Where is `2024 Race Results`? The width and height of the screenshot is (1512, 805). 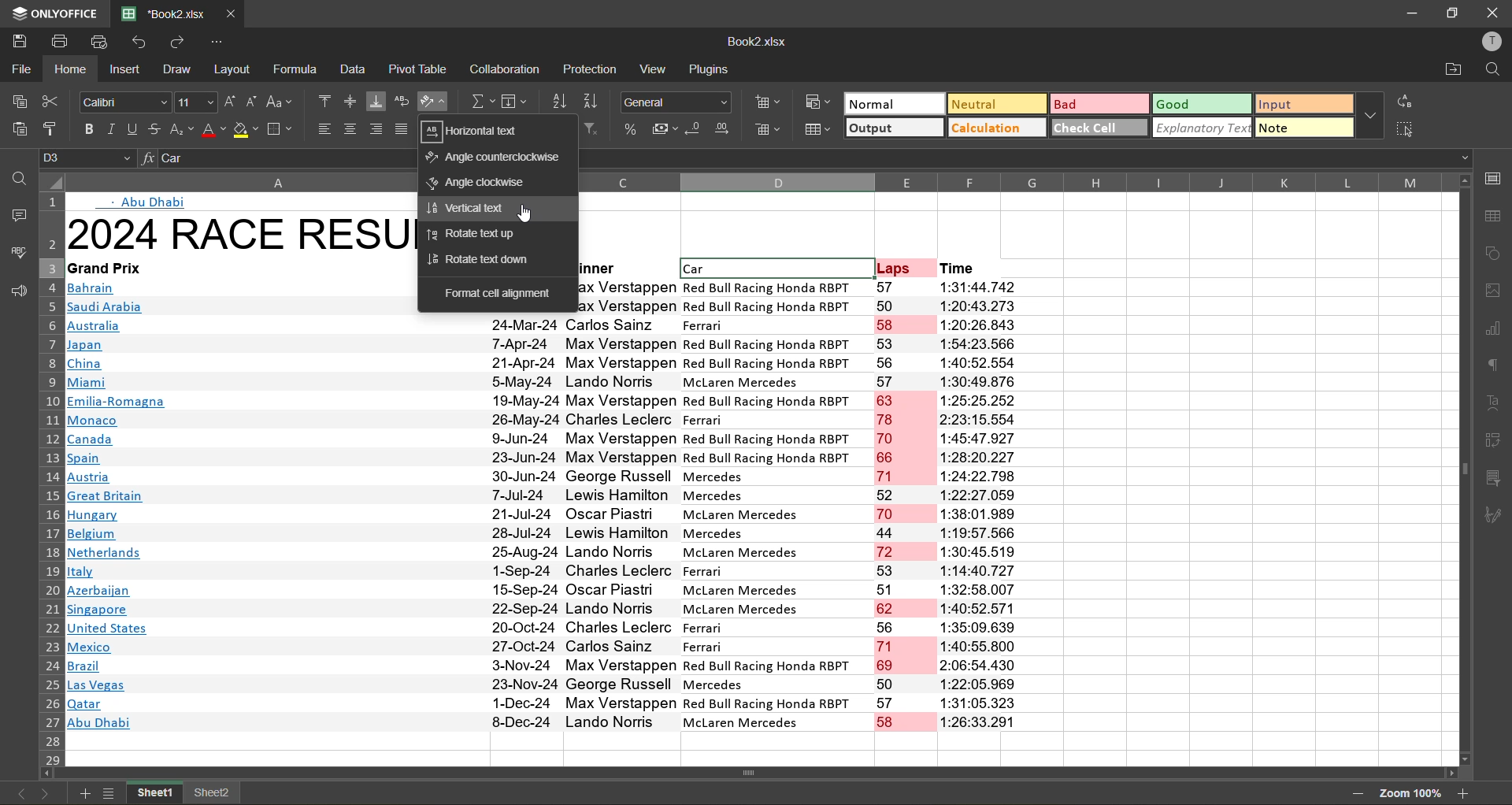
2024 Race Results is located at coordinates (239, 234).